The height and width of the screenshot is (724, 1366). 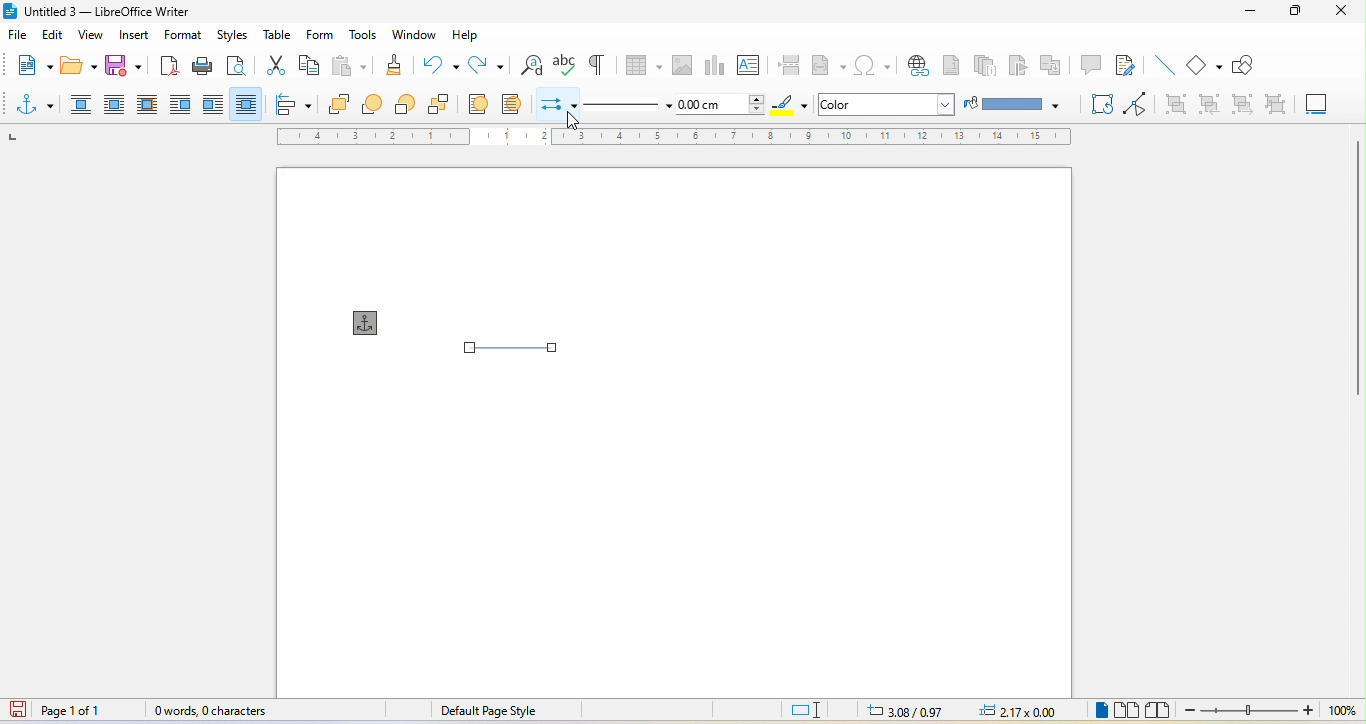 I want to click on close, so click(x=1343, y=11).